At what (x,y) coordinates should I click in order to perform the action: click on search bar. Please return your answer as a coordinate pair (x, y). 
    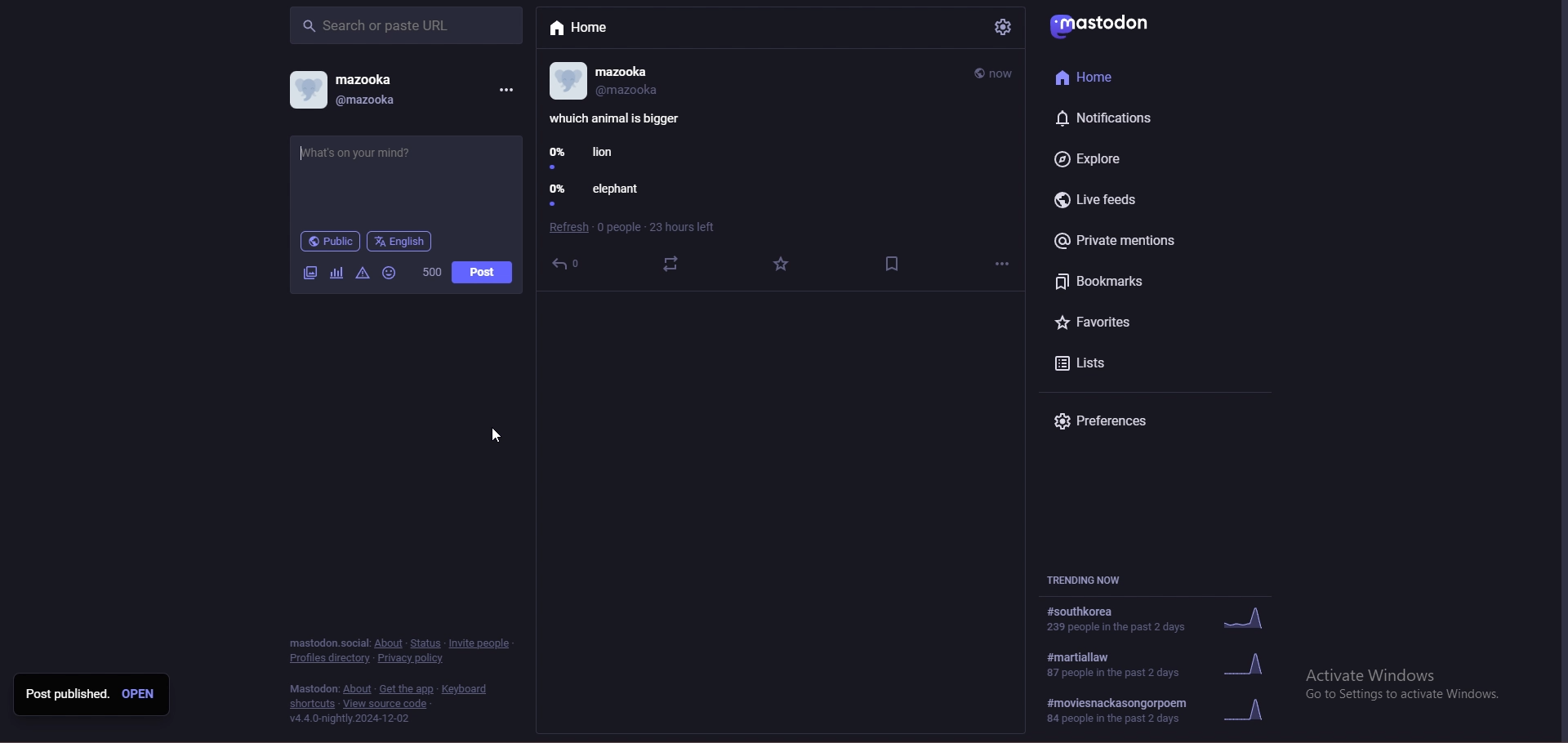
    Looking at the image, I should click on (406, 24).